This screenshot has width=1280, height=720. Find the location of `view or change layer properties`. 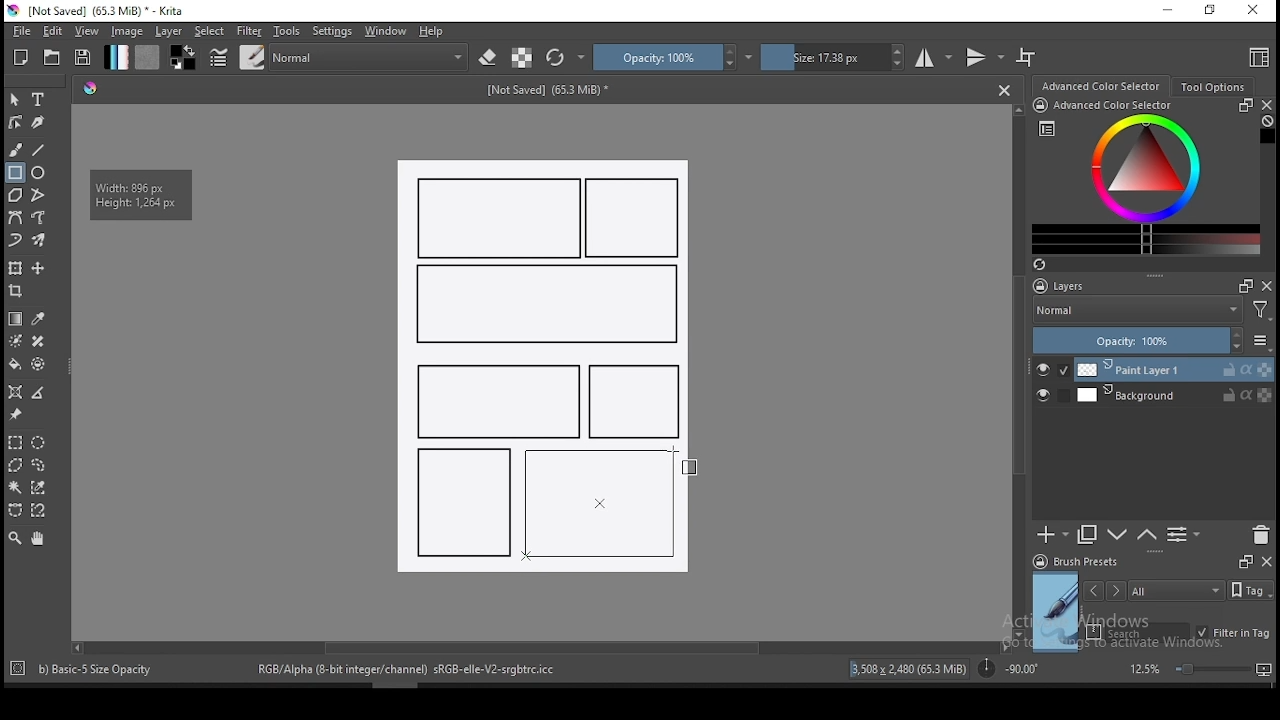

view or change layer properties is located at coordinates (1183, 534).